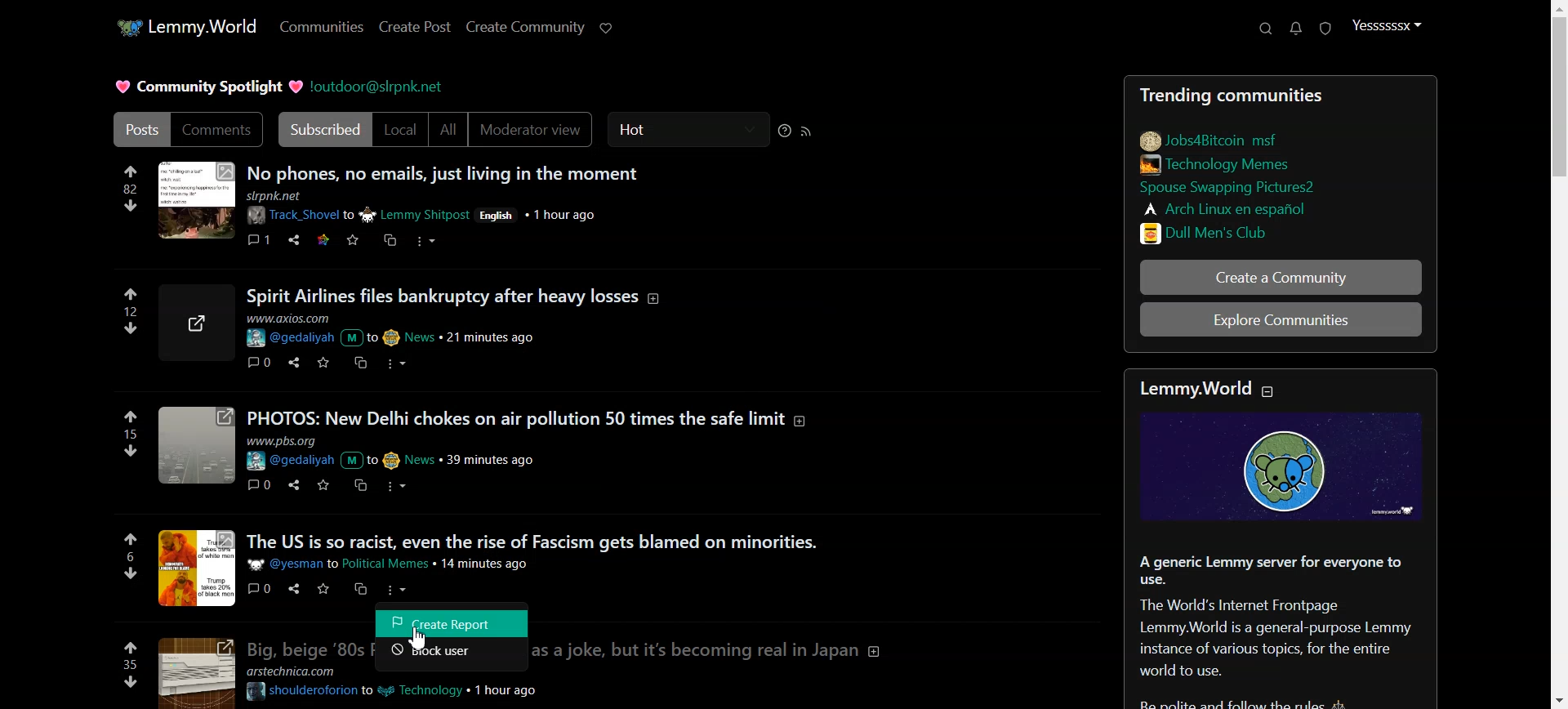 The width and height of the screenshot is (1568, 709). Describe the element at coordinates (362, 588) in the screenshot. I see `cross post` at that location.